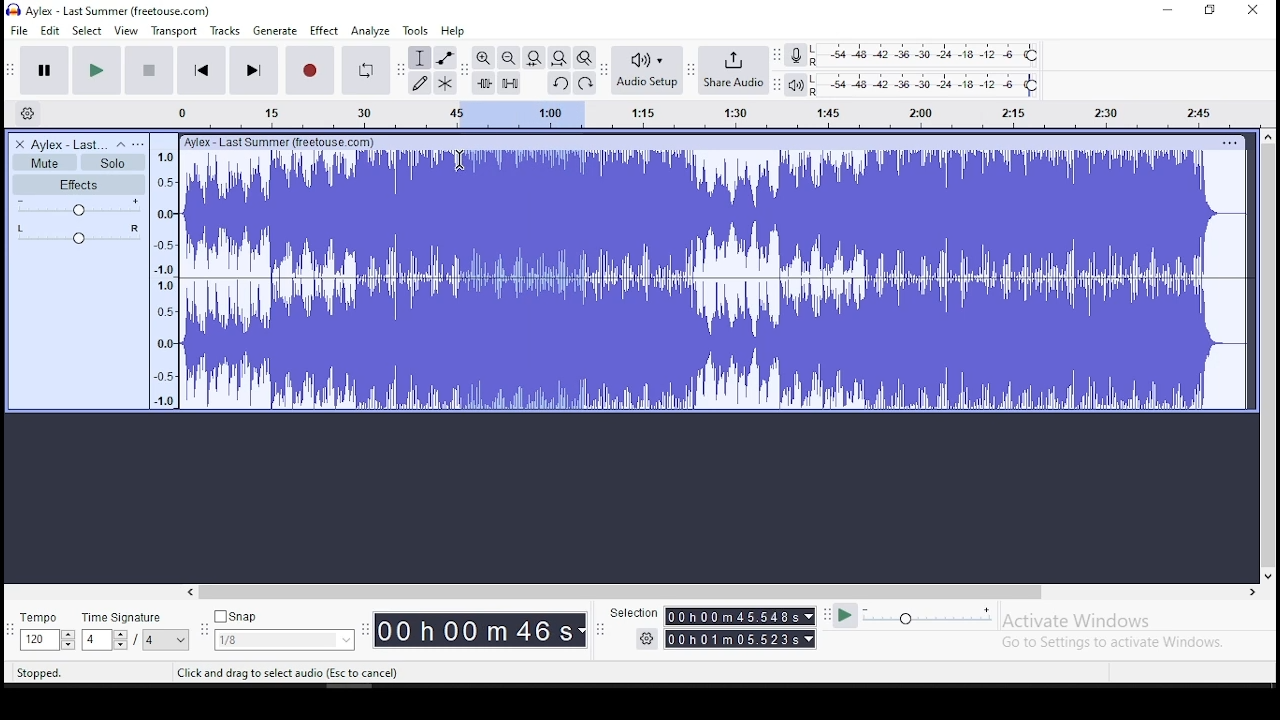  Describe the element at coordinates (201, 71) in the screenshot. I see `skip to start` at that location.